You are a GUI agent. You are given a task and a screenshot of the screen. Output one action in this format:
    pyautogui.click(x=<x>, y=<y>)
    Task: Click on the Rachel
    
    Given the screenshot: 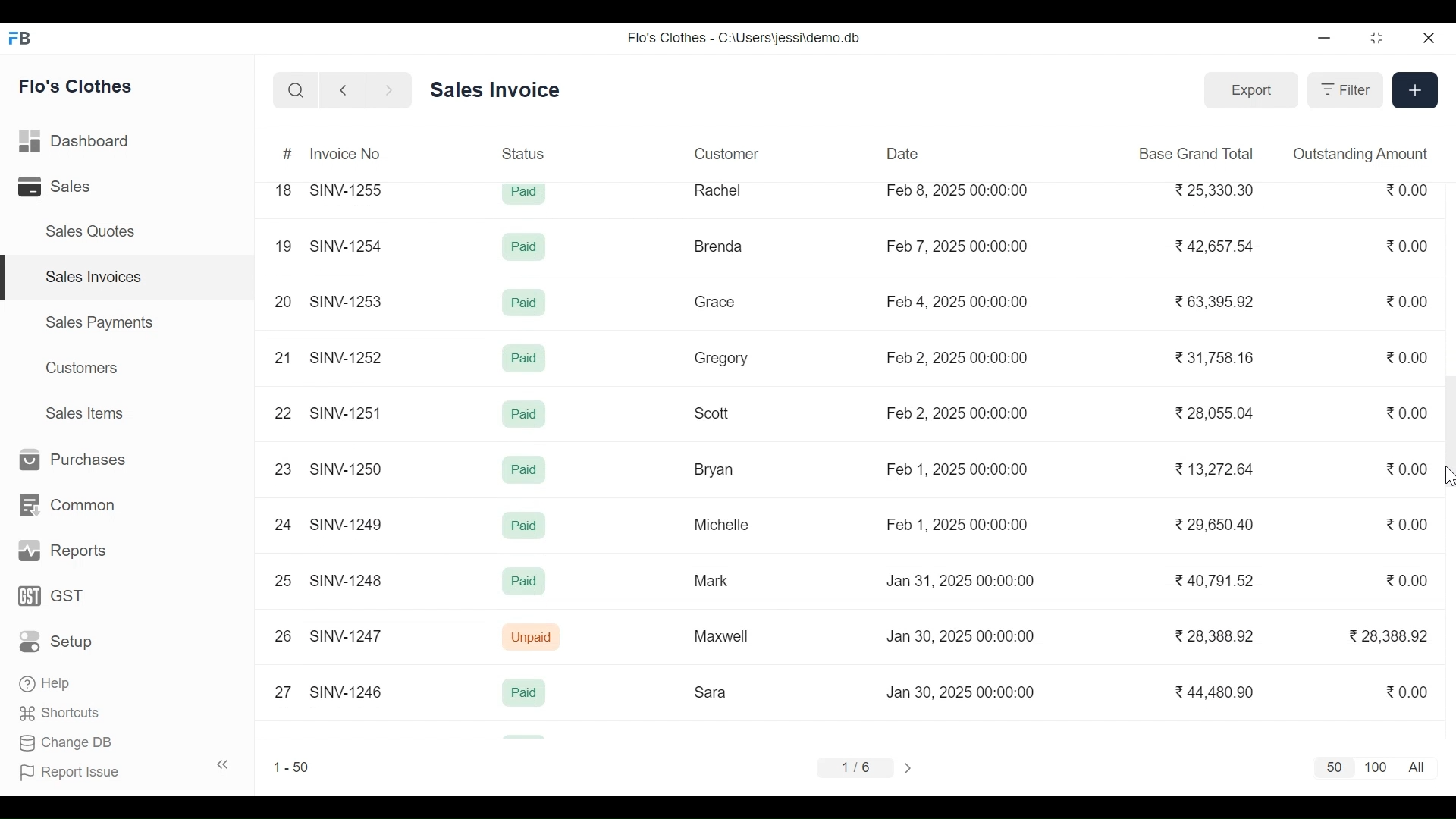 What is the action you would take?
    pyautogui.click(x=719, y=190)
    